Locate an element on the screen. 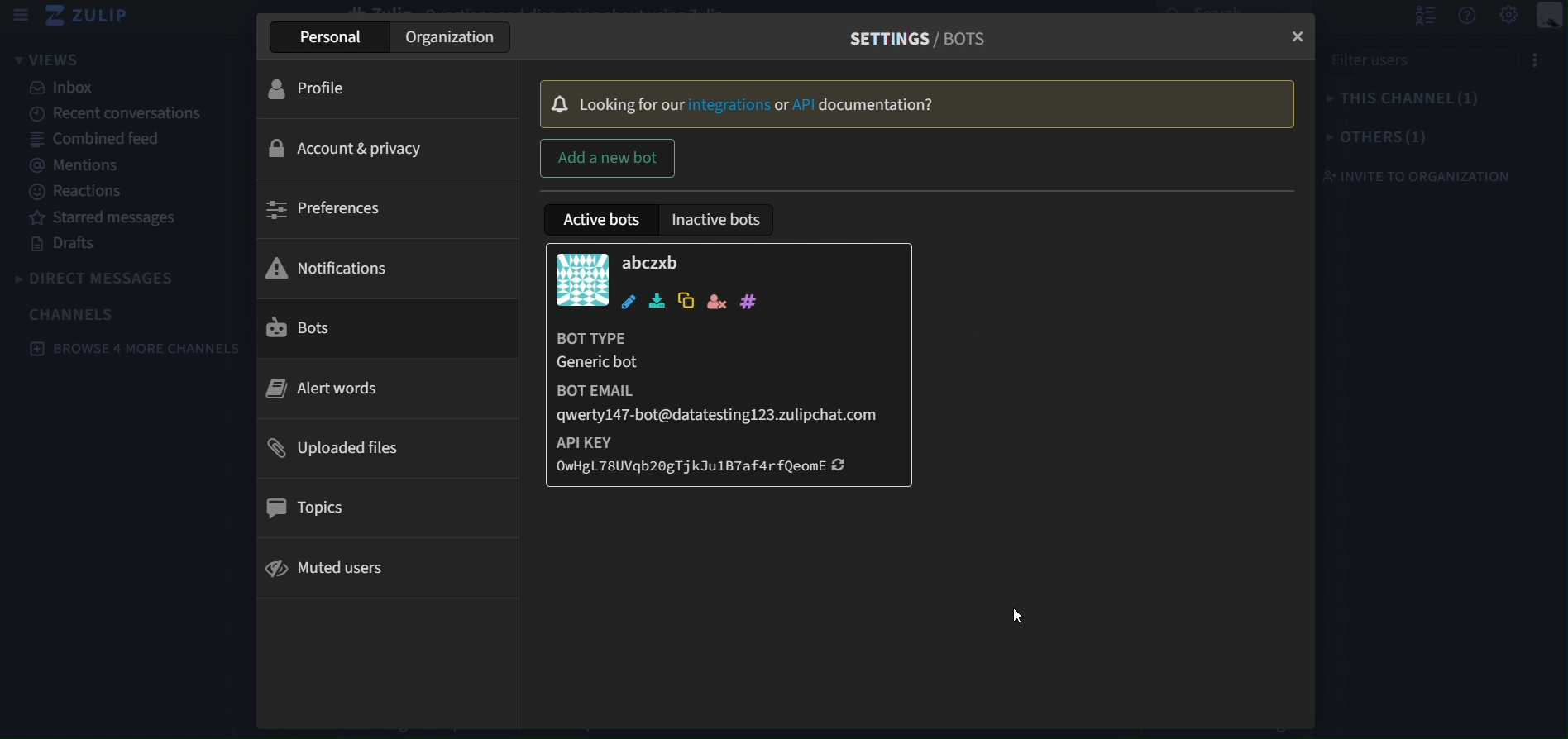 The width and height of the screenshot is (1568, 739). drafts is located at coordinates (65, 245).